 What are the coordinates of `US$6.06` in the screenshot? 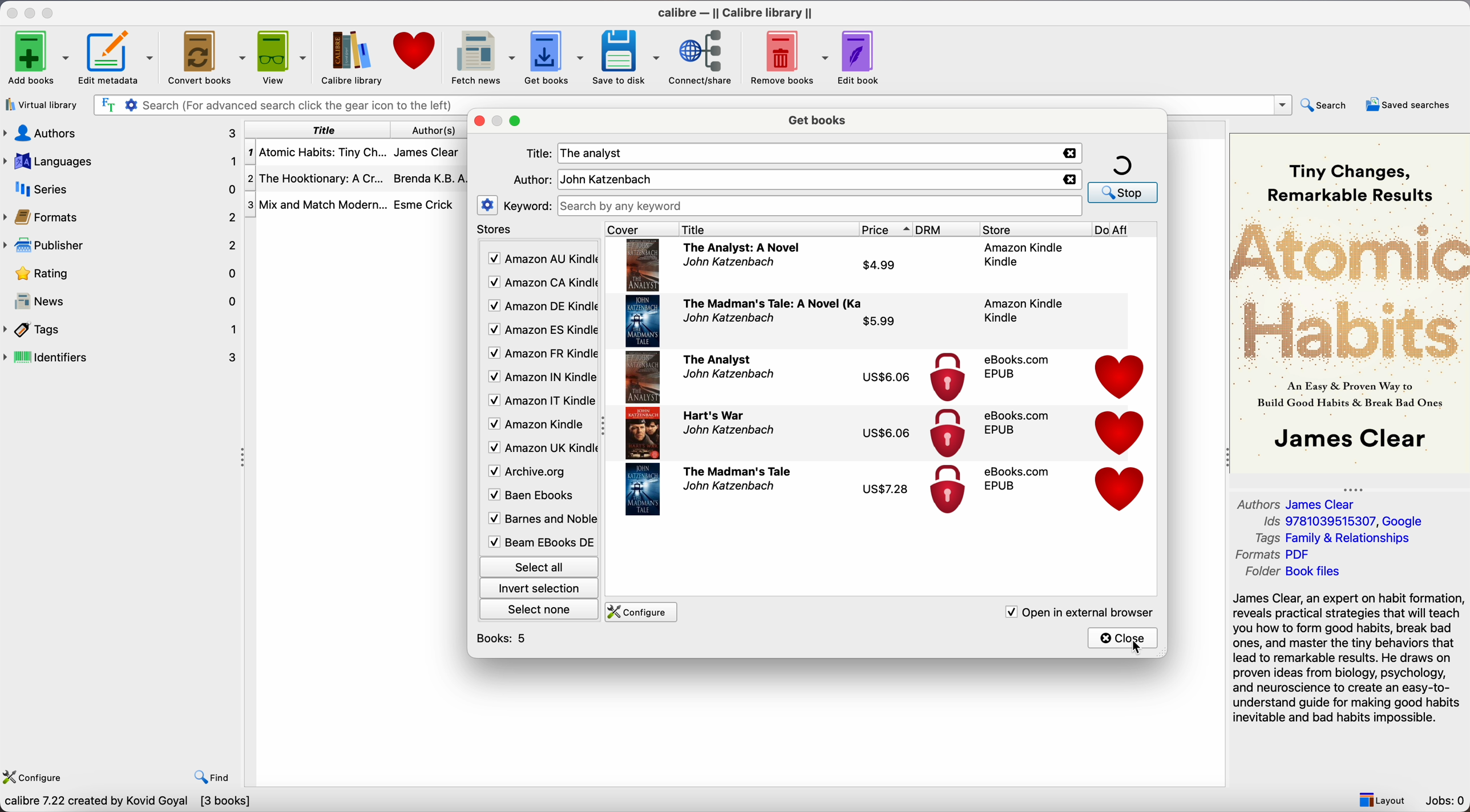 It's located at (890, 434).